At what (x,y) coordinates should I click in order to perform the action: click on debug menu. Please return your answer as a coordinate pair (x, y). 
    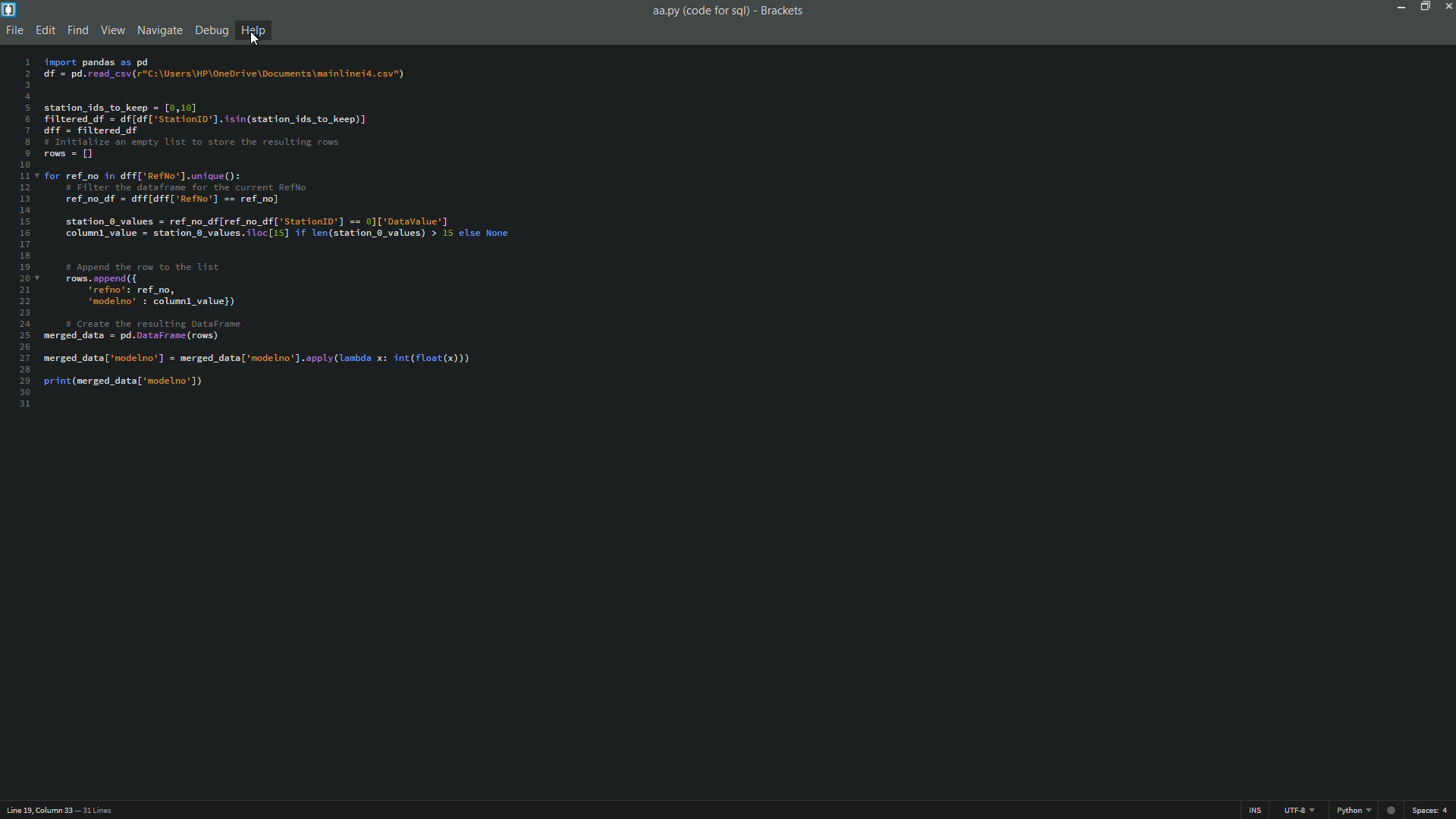
    Looking at the image, I should click on (210, 30).